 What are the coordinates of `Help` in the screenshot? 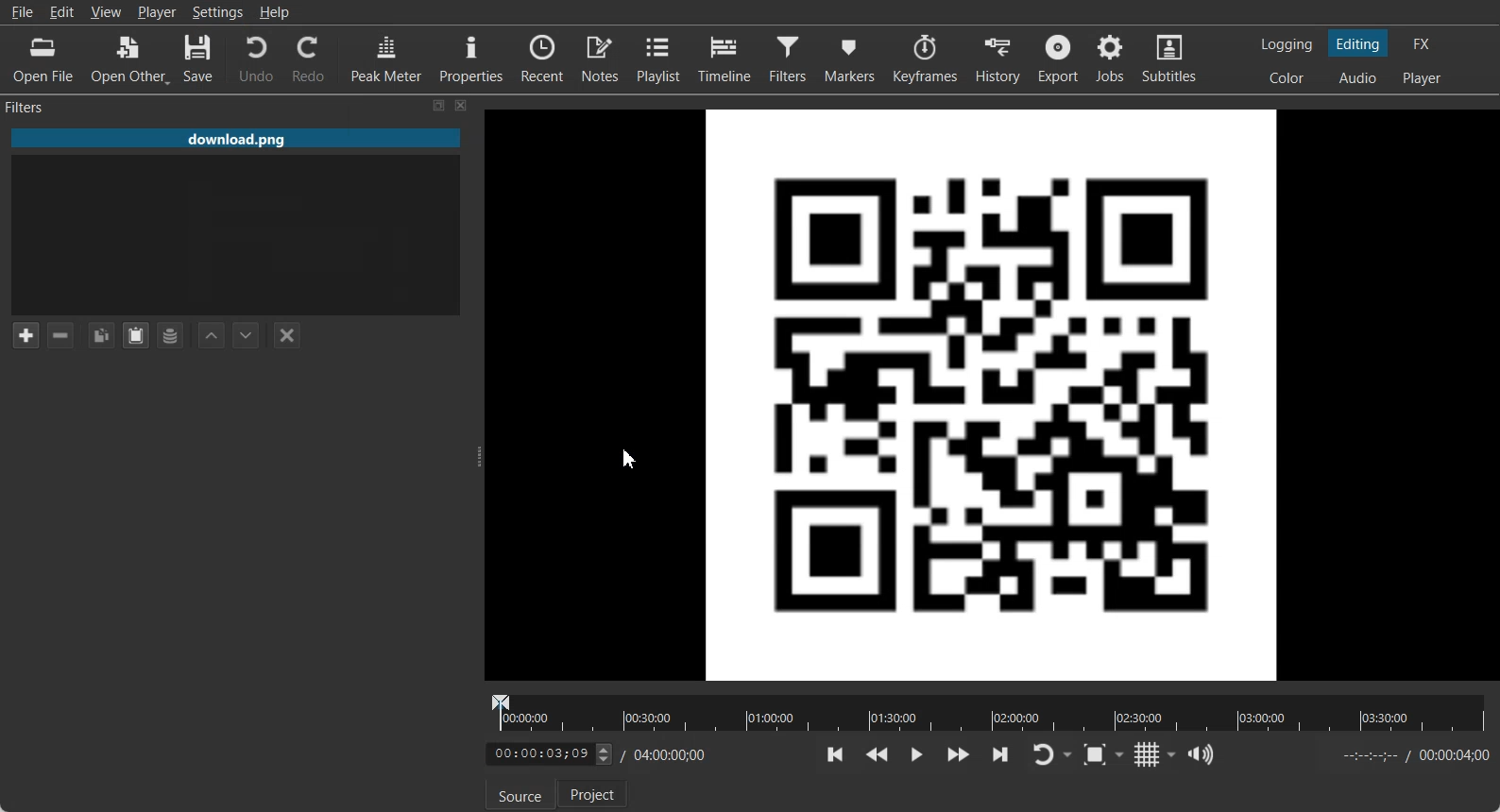 It's located at (274, 11).